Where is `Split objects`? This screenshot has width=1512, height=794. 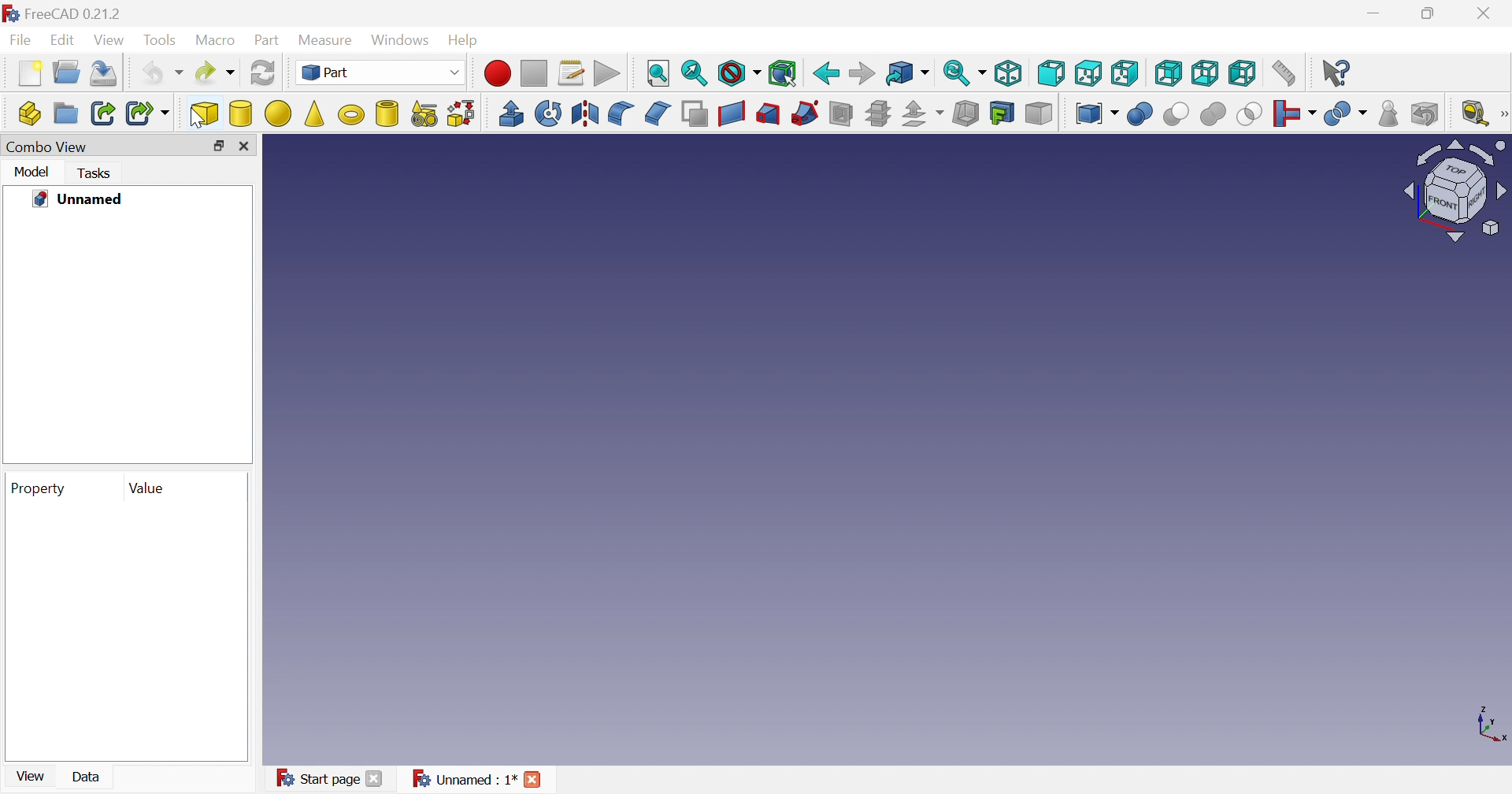 Split objects is located at coordinates (1344, 113).